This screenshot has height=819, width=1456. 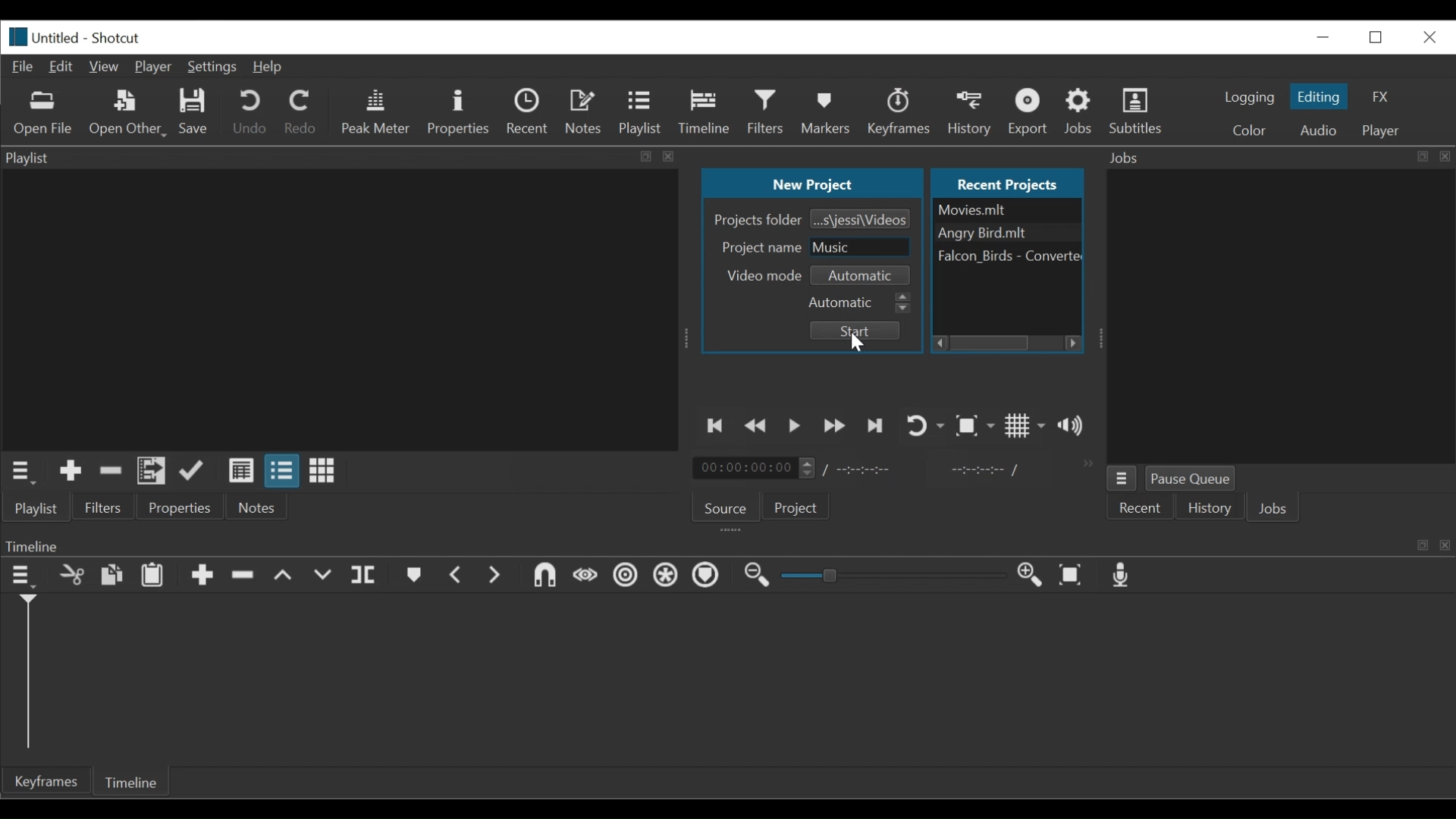 I want to click on Select Video mode, so click(x=863, y=275).